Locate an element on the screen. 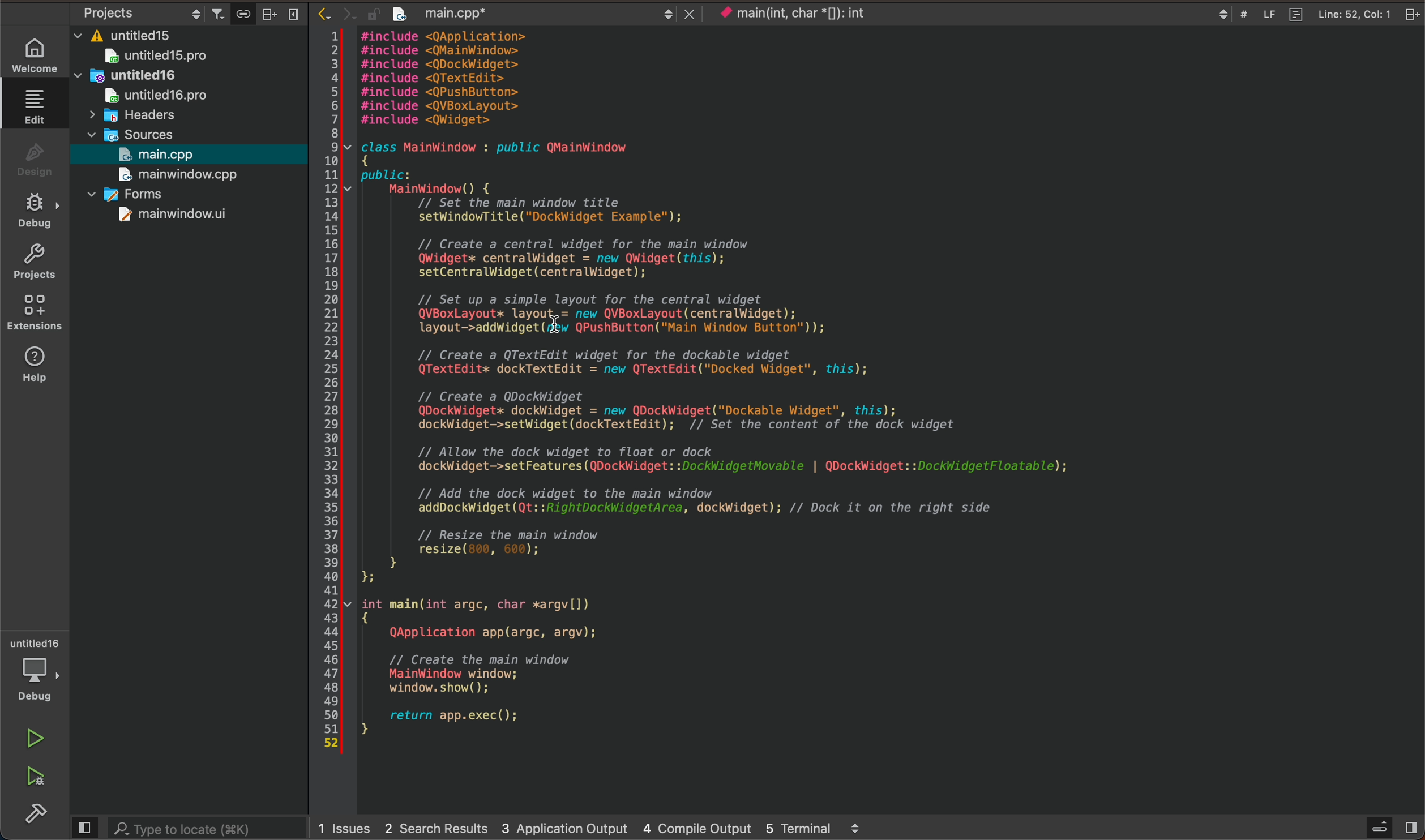 This screenshot has width=1425, height=840. headers is located at coordinates (140, 114).